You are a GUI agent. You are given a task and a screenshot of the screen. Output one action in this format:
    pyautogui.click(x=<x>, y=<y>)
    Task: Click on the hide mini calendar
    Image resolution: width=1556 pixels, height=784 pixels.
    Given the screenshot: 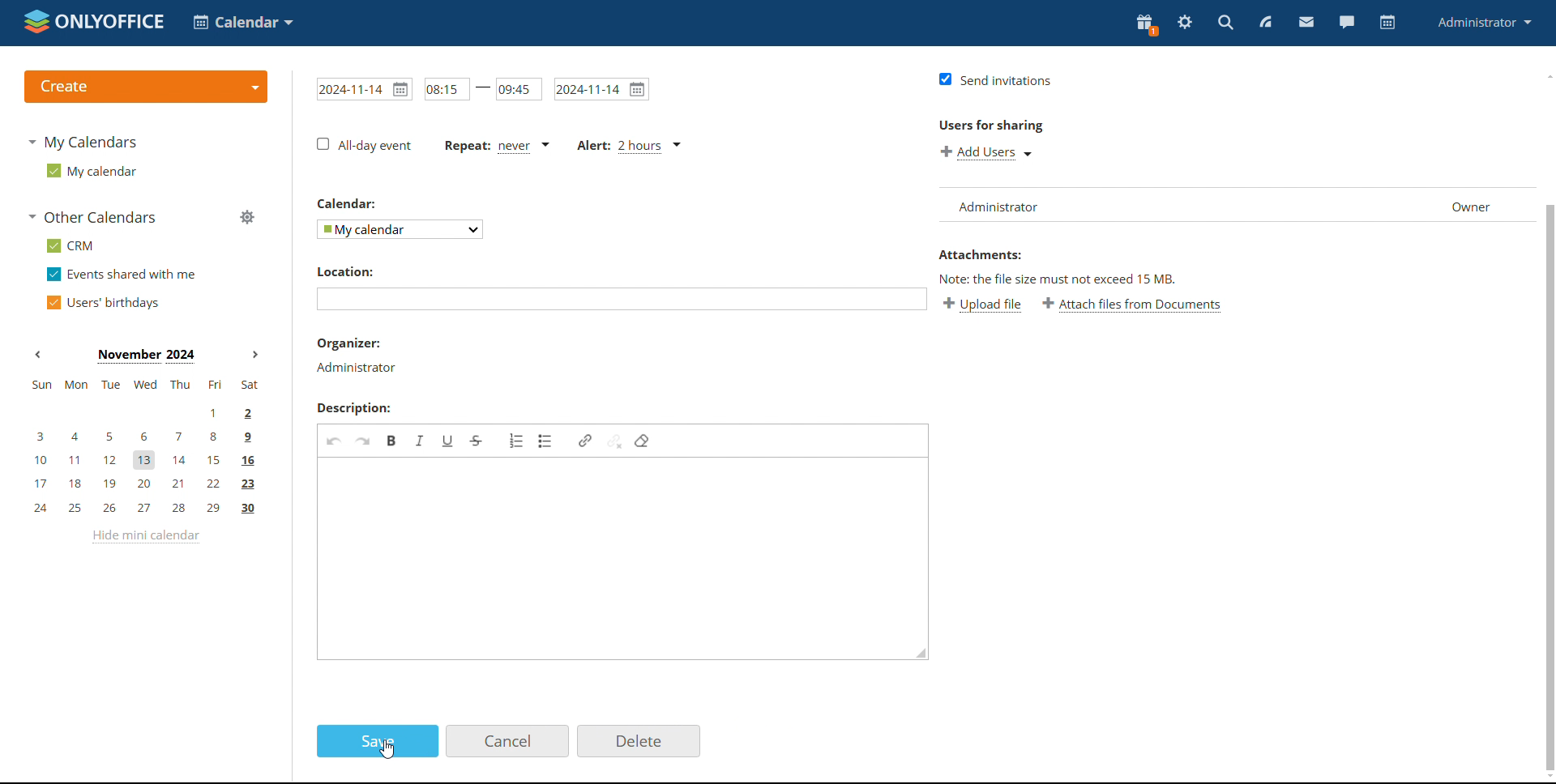 What is the action you would take?
    pyautogui.click(x=143, y=536)
    